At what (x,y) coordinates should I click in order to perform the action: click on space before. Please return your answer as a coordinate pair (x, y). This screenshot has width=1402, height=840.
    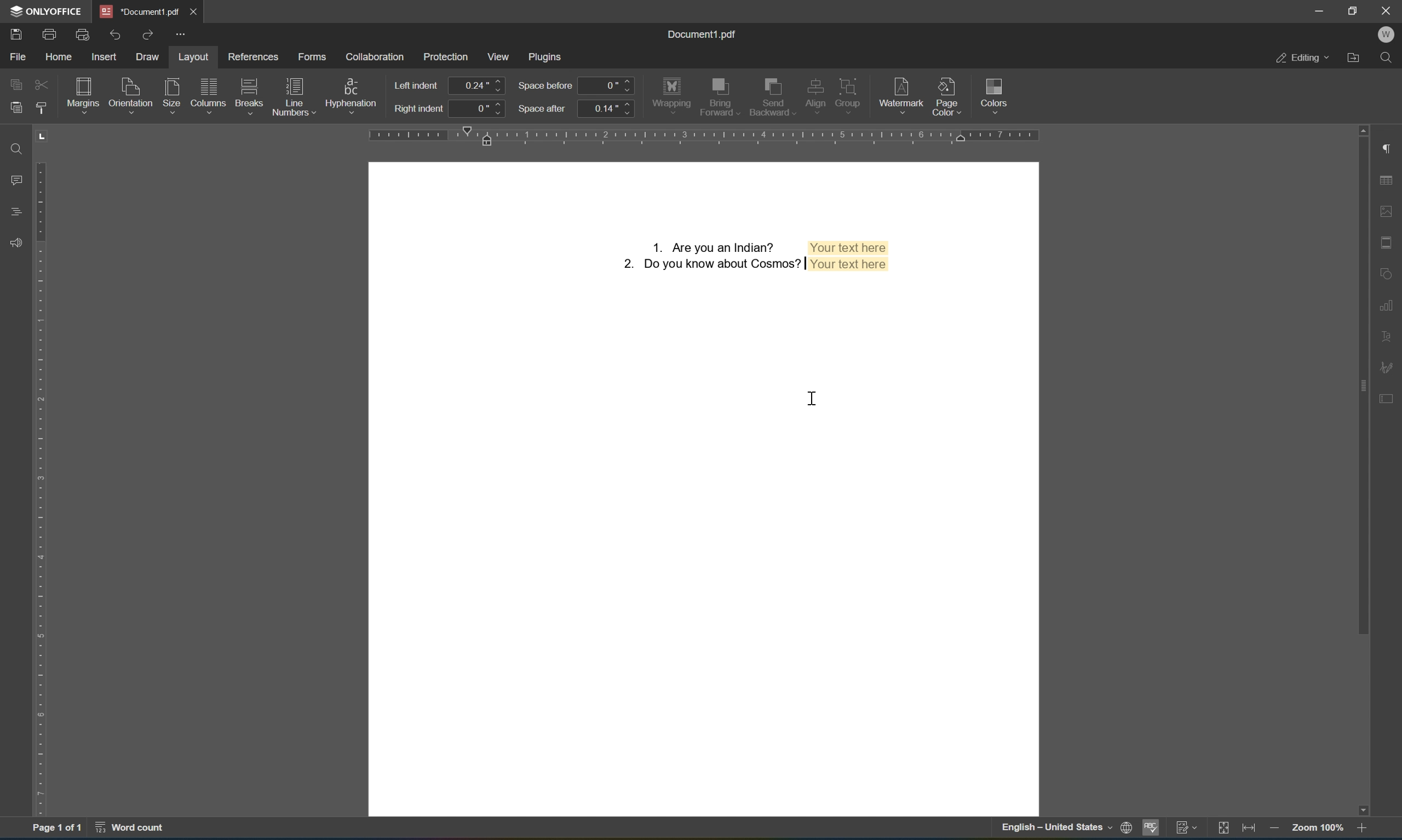
    Looking at the image, I should click on (546, 87).